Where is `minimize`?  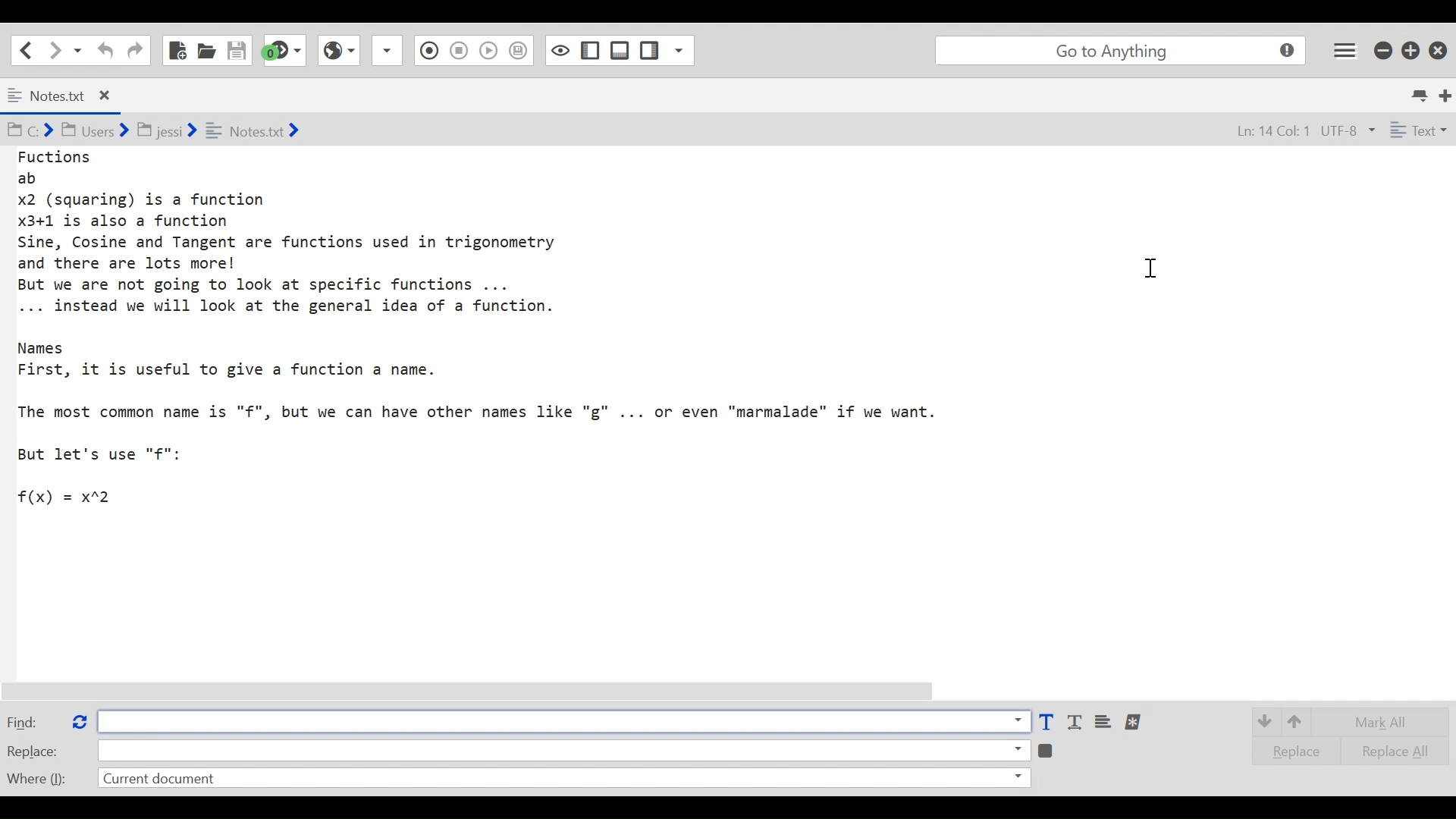
minimize is located at coordinates (1385, 49).